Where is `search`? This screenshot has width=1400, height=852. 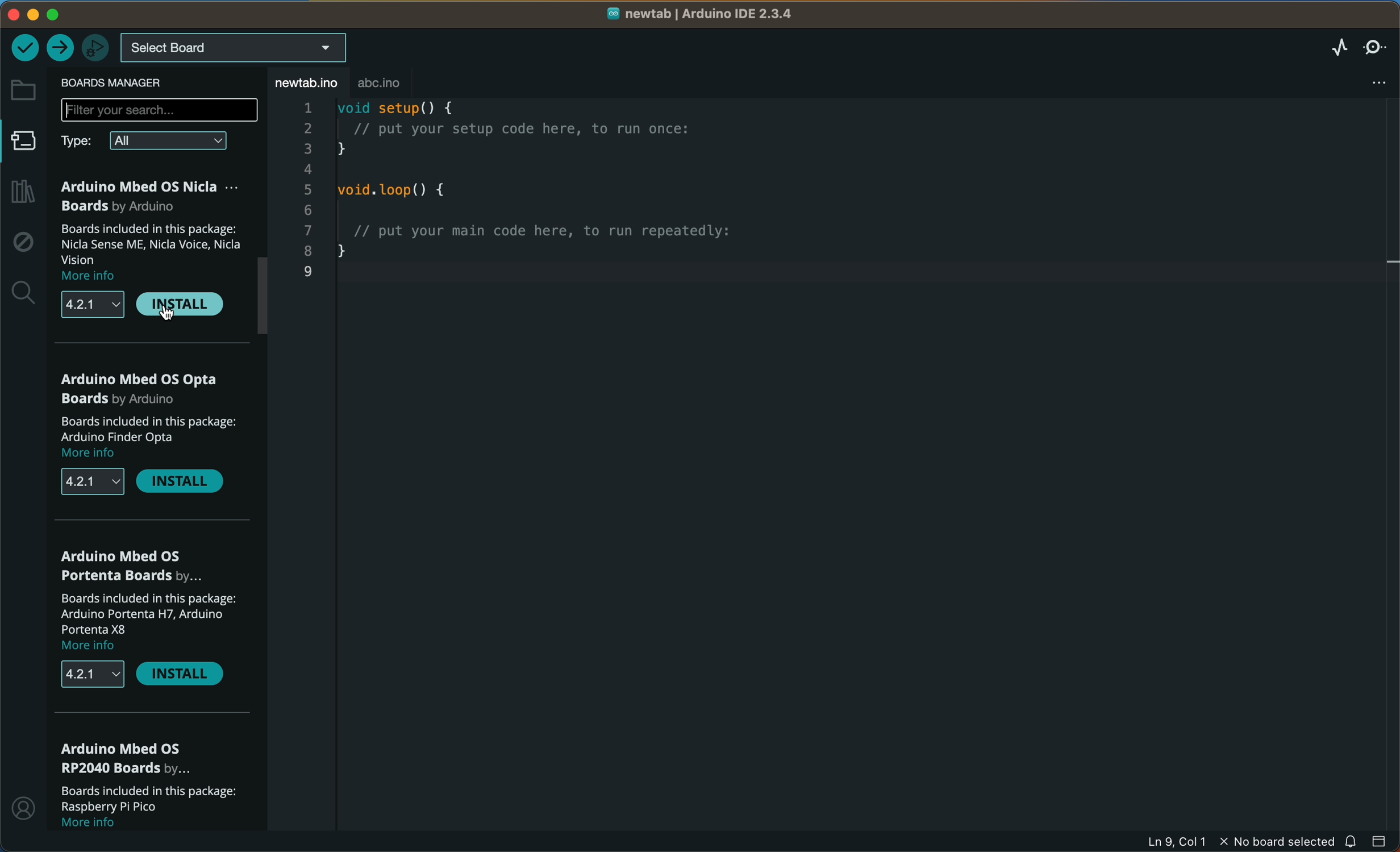 search is located at coordinates (26, 291).